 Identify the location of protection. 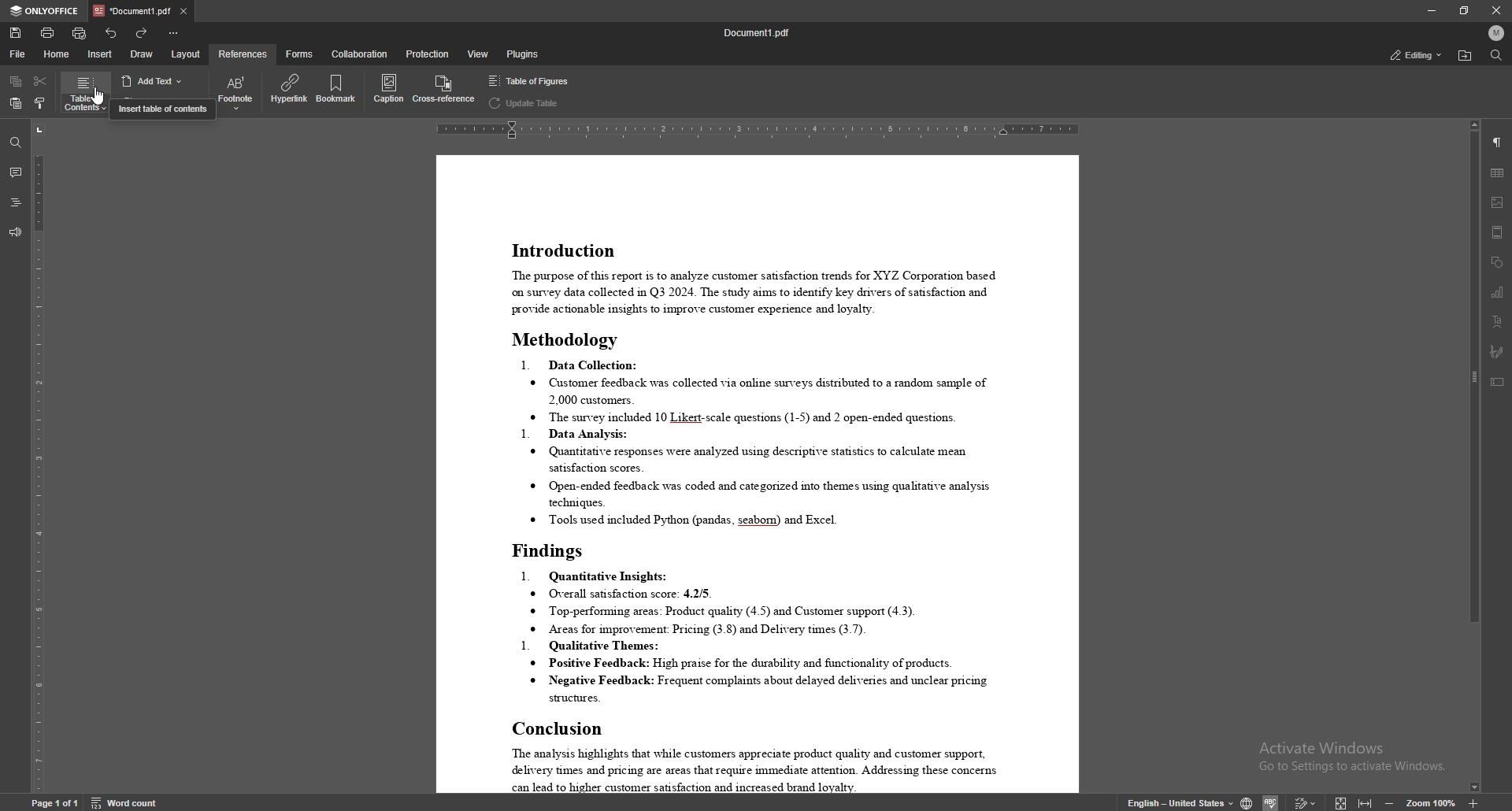
(427, 54).